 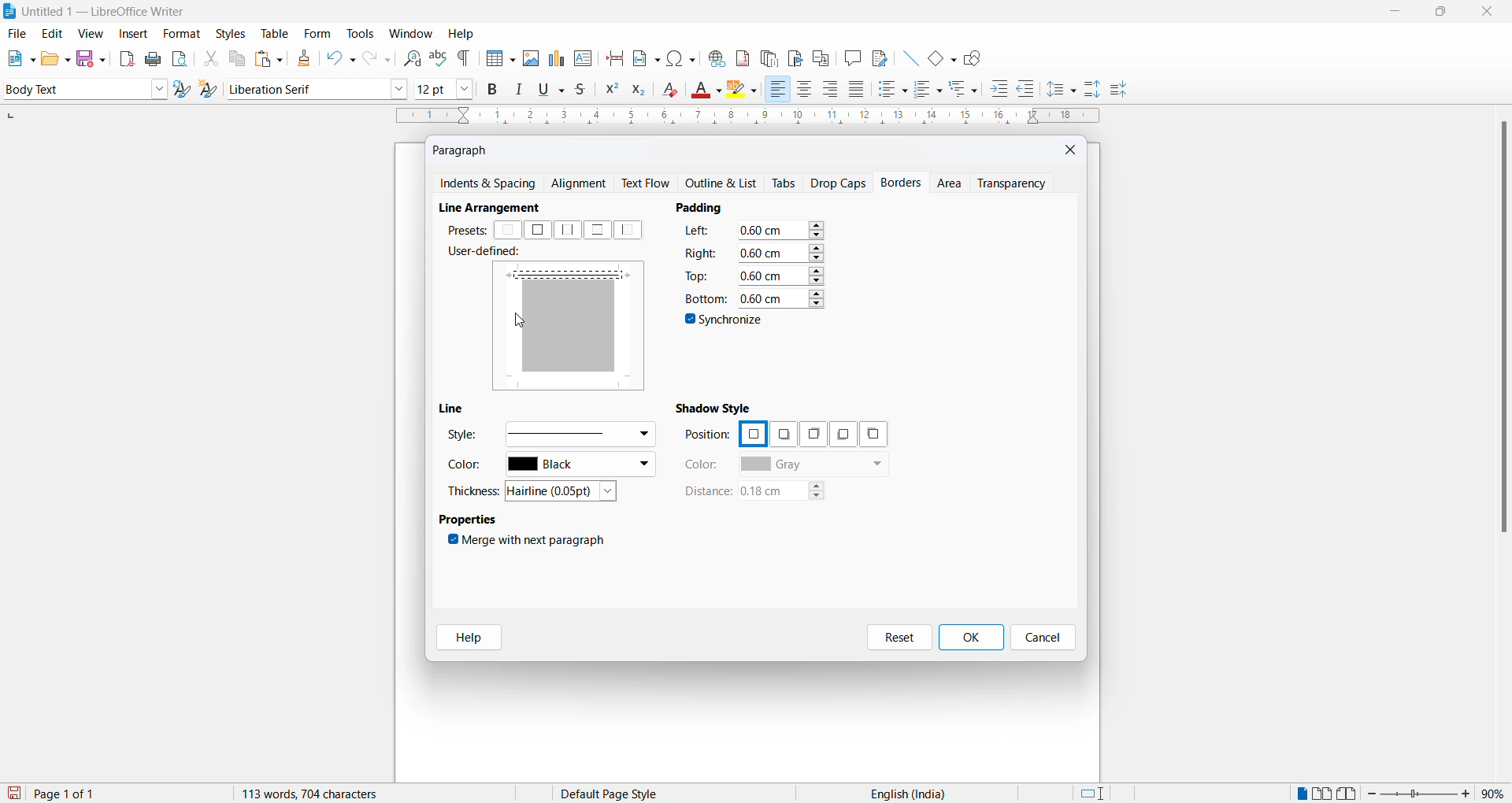 What do you see at coordinates (795, 56) in the screenshot?
I see `insert bookmarks` at bounding box center [795, 56].